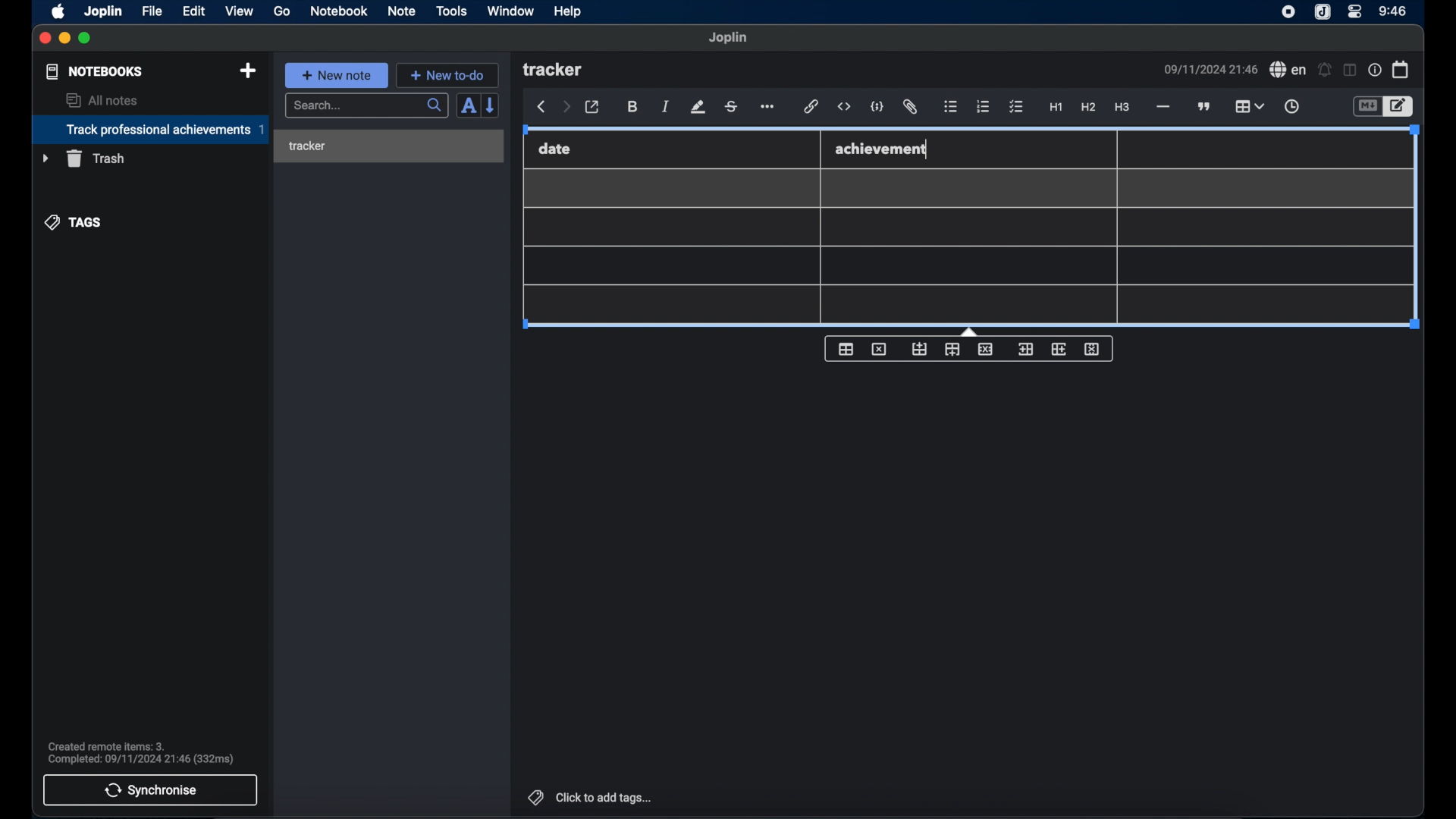 The height and width of the screenshot is (819, 1456). Describe the element at coordinates (1323, 13) in the screenshot. I see `joplin` at that location.